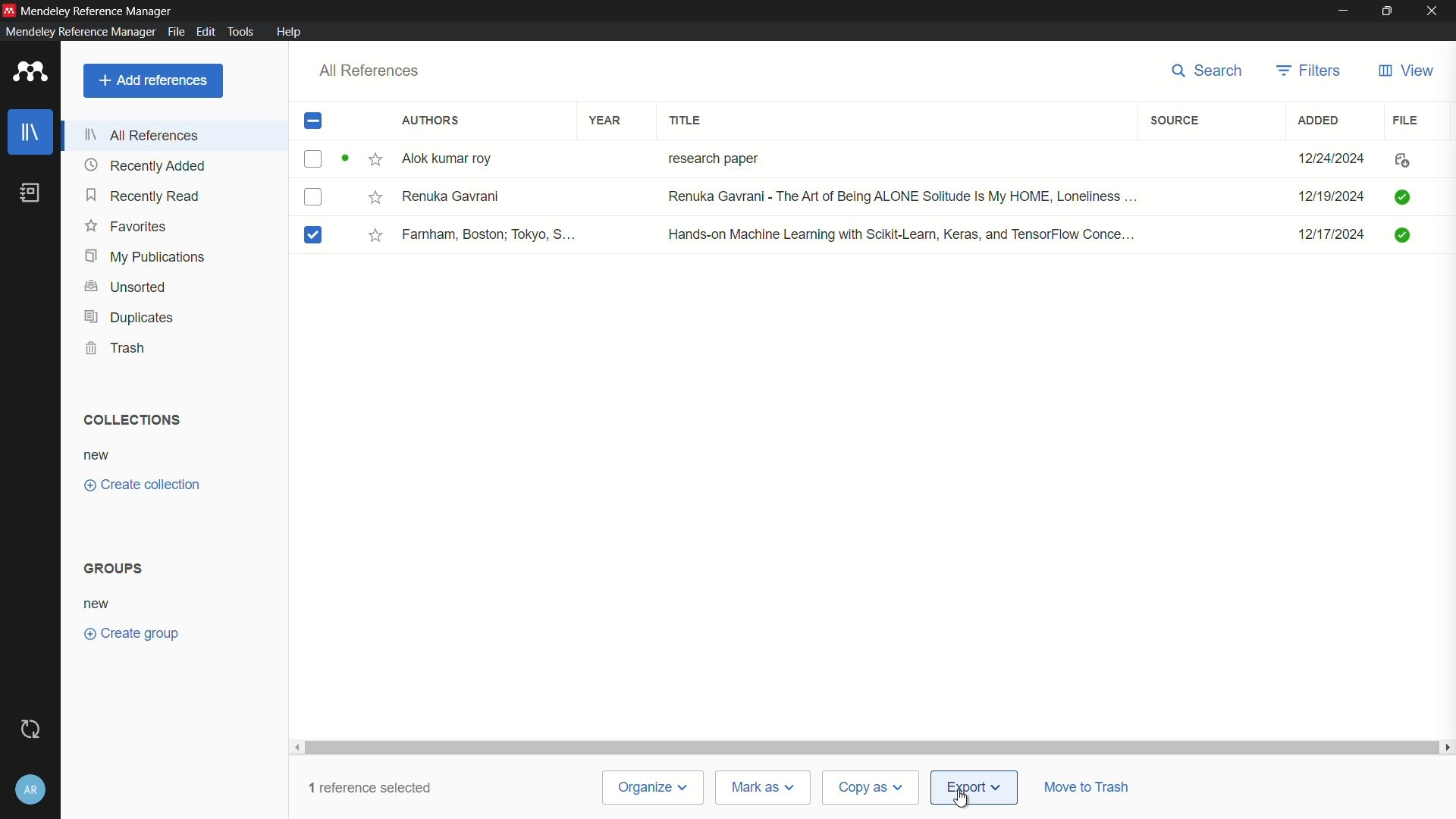 Image resolution: width=1456 pixels, height=819 pixels. I want to click on my publications, so click(146, 256).